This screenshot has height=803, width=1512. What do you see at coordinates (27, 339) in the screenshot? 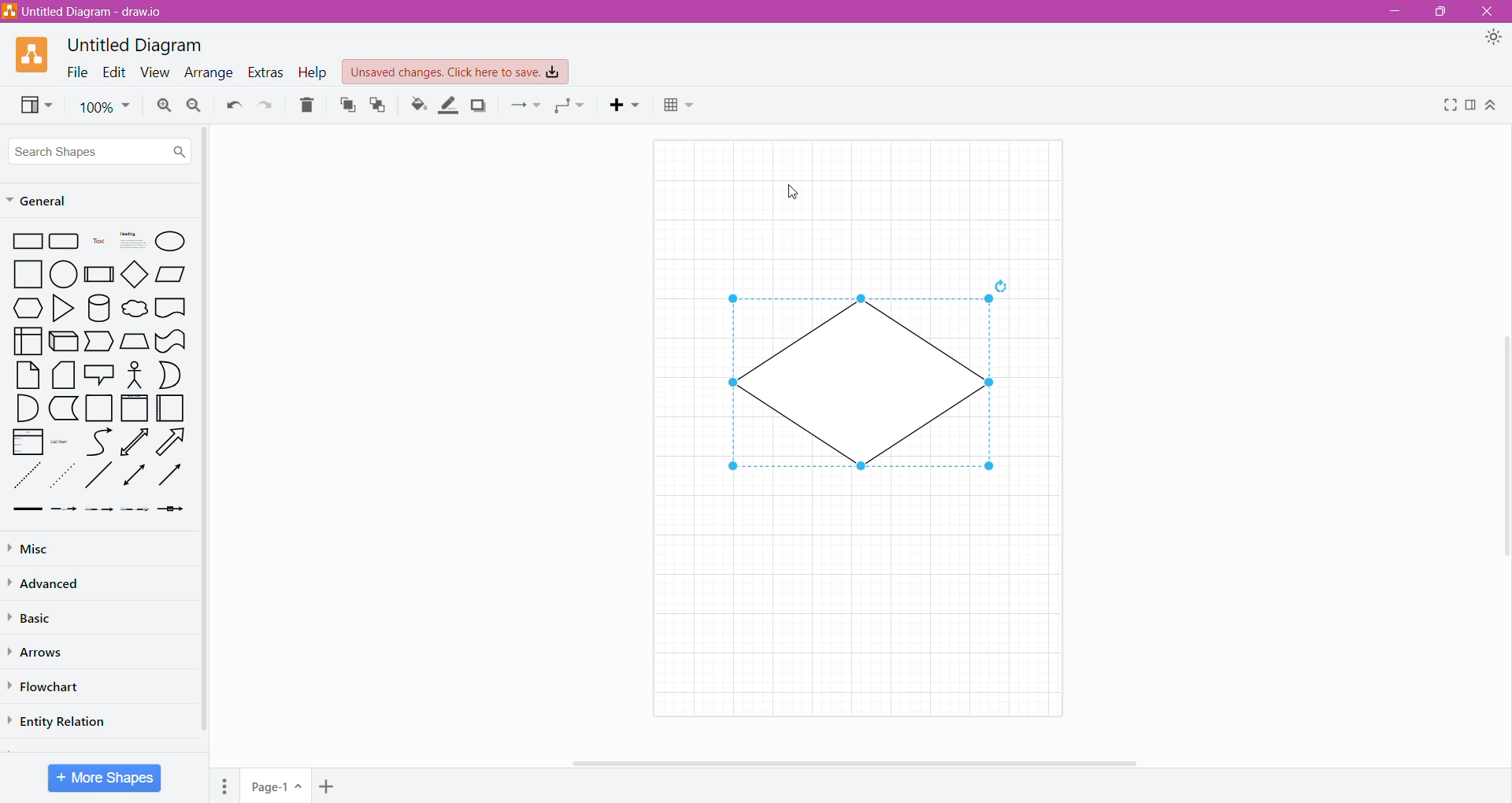
I see `Internal Document` at bounding box center [27, 339].